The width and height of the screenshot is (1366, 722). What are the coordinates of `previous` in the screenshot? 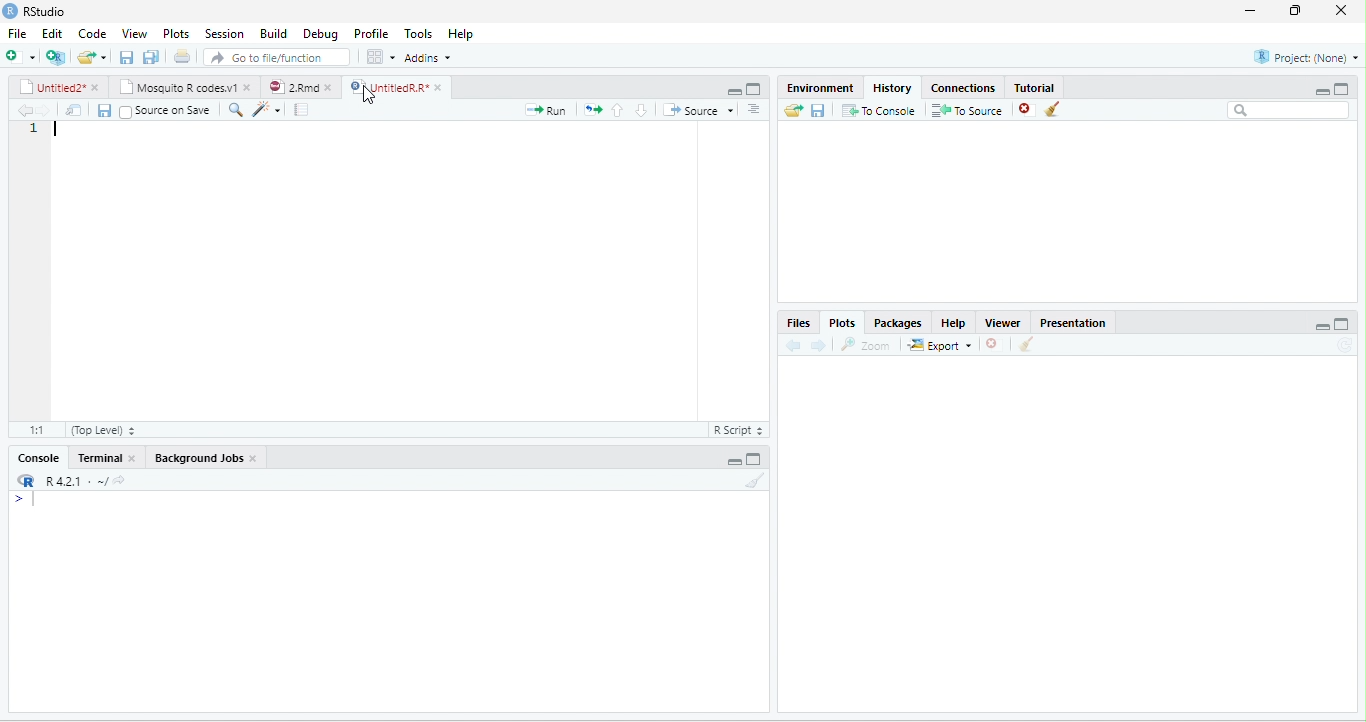 It's located at (797, 345).